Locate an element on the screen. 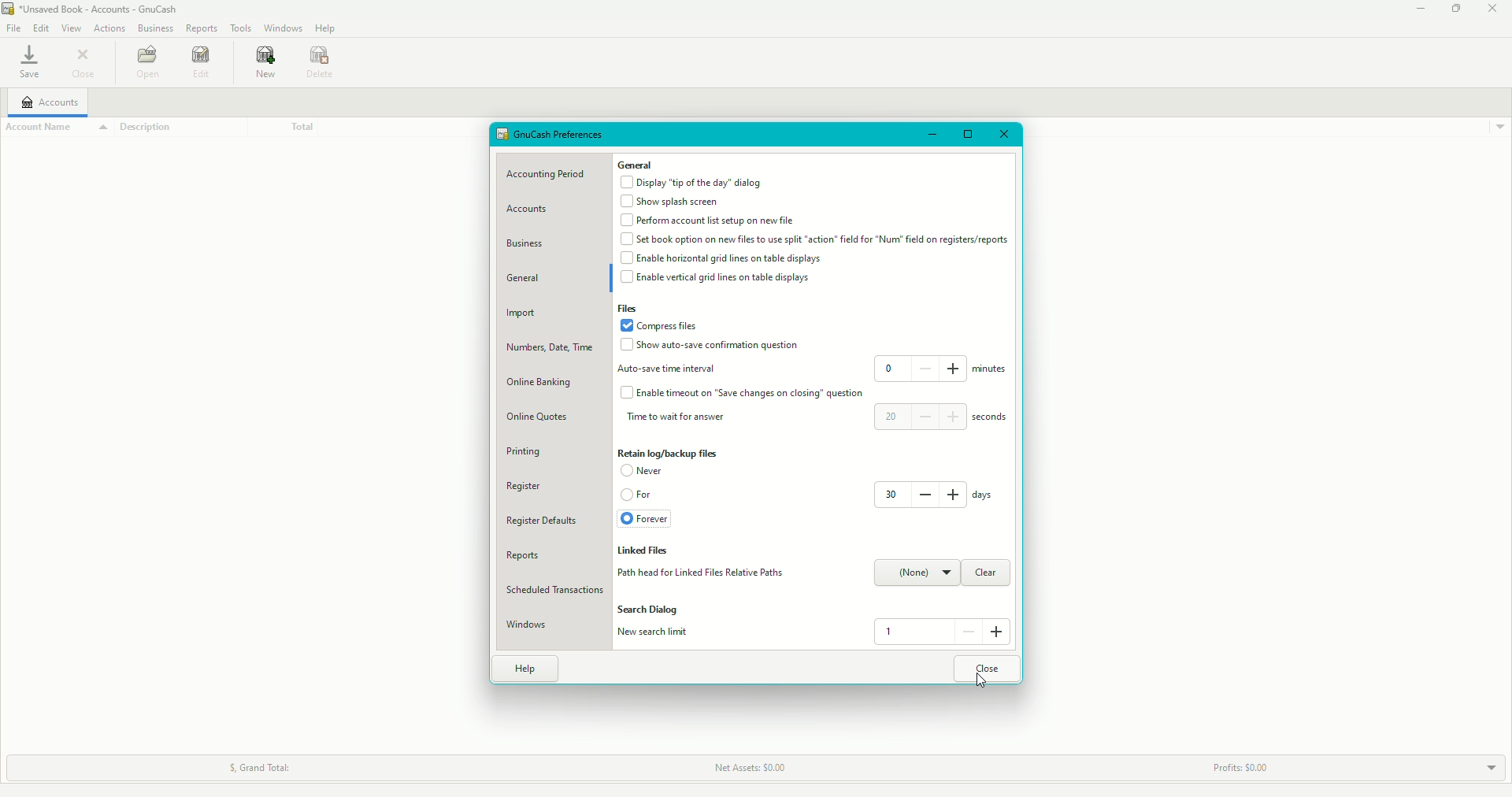 This screenshot has width=1512, height=797. Actions is located at coordinates (110, 29).